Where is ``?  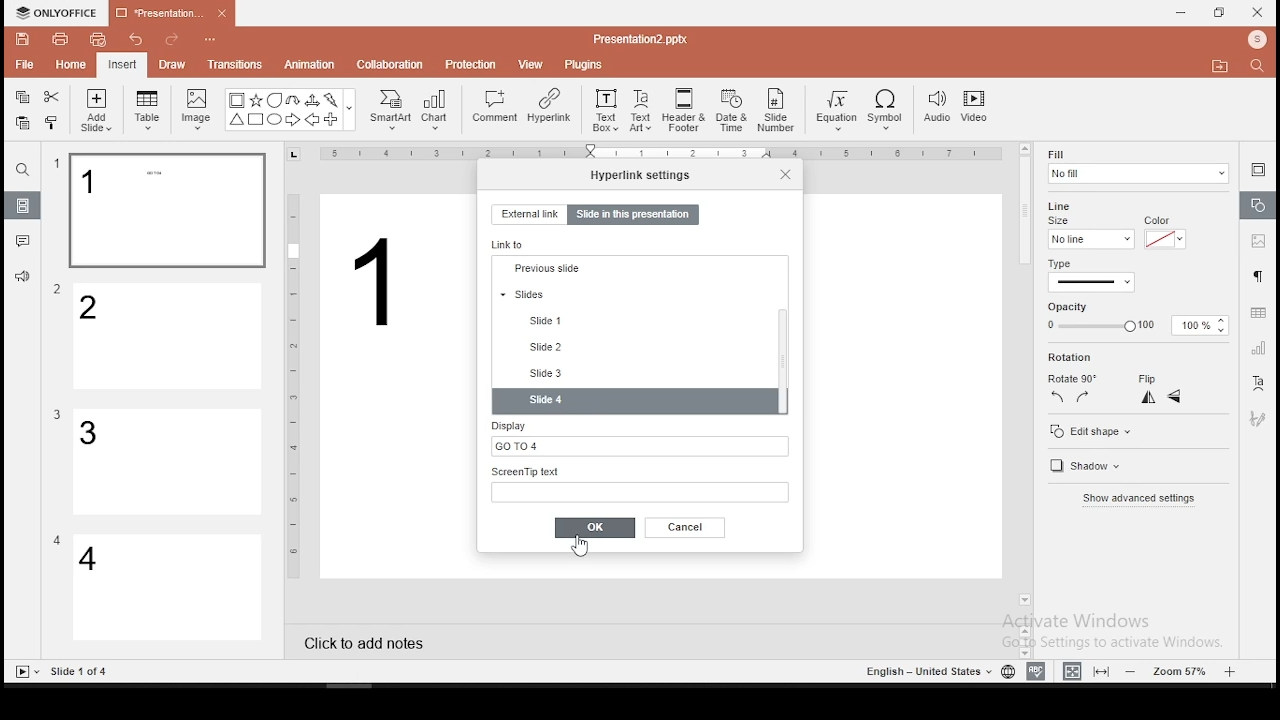  is located at coordinates (640, 38).